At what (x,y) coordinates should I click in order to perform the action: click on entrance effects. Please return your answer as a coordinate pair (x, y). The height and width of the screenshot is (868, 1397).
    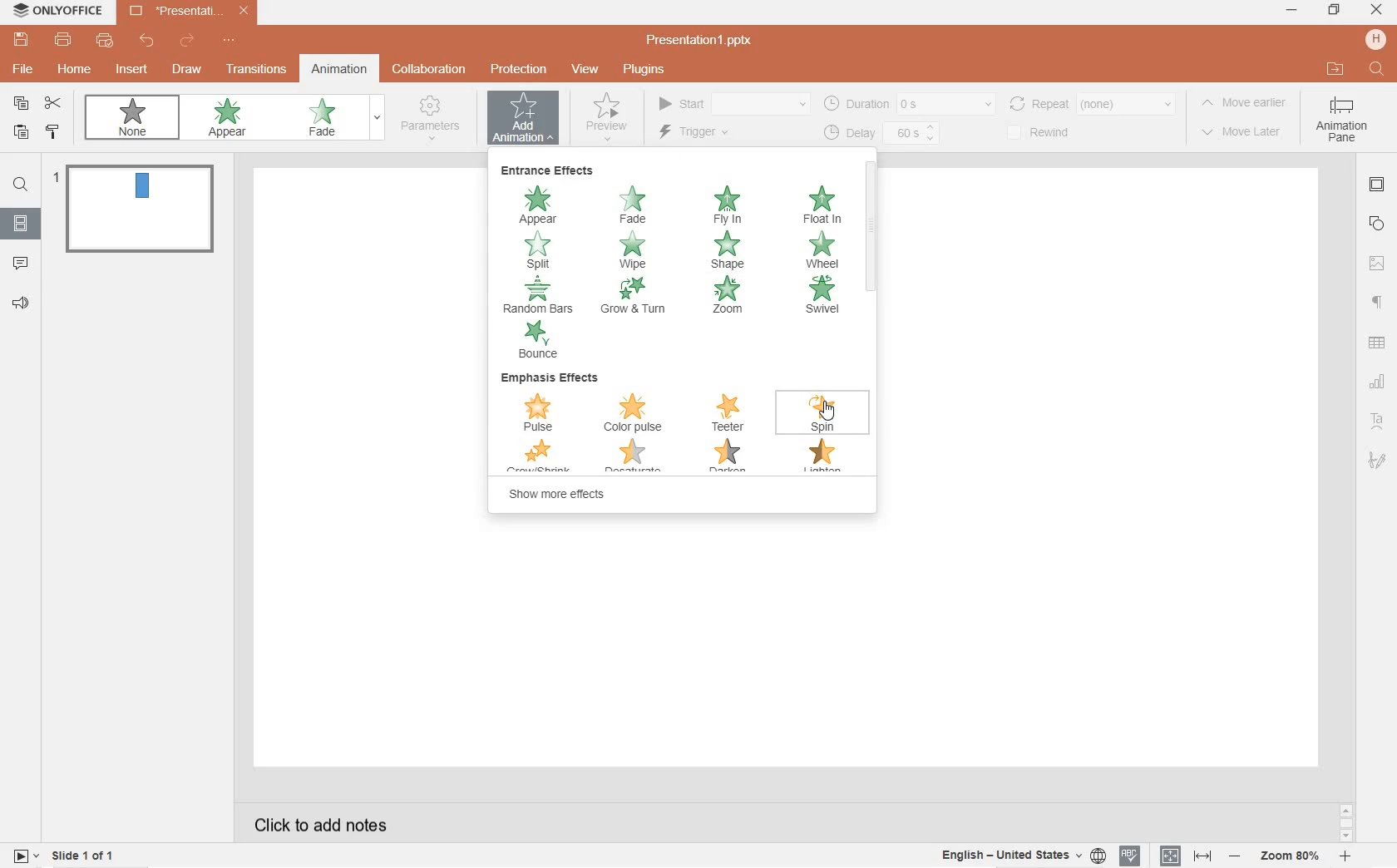
    Looking at the image, I should click on (550, 173).